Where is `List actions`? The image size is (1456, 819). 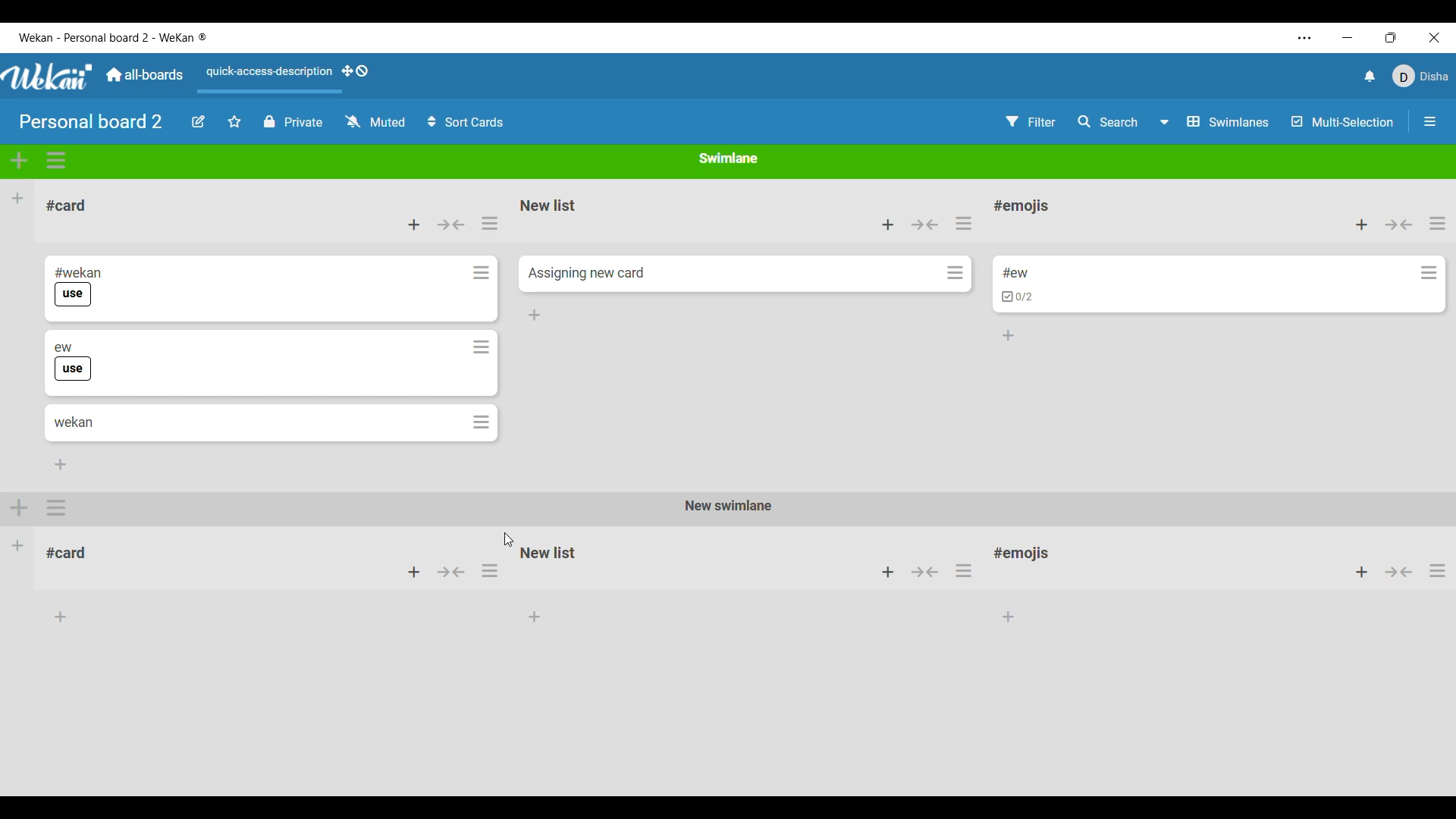 List actions is located at coordinates (1438, 223).